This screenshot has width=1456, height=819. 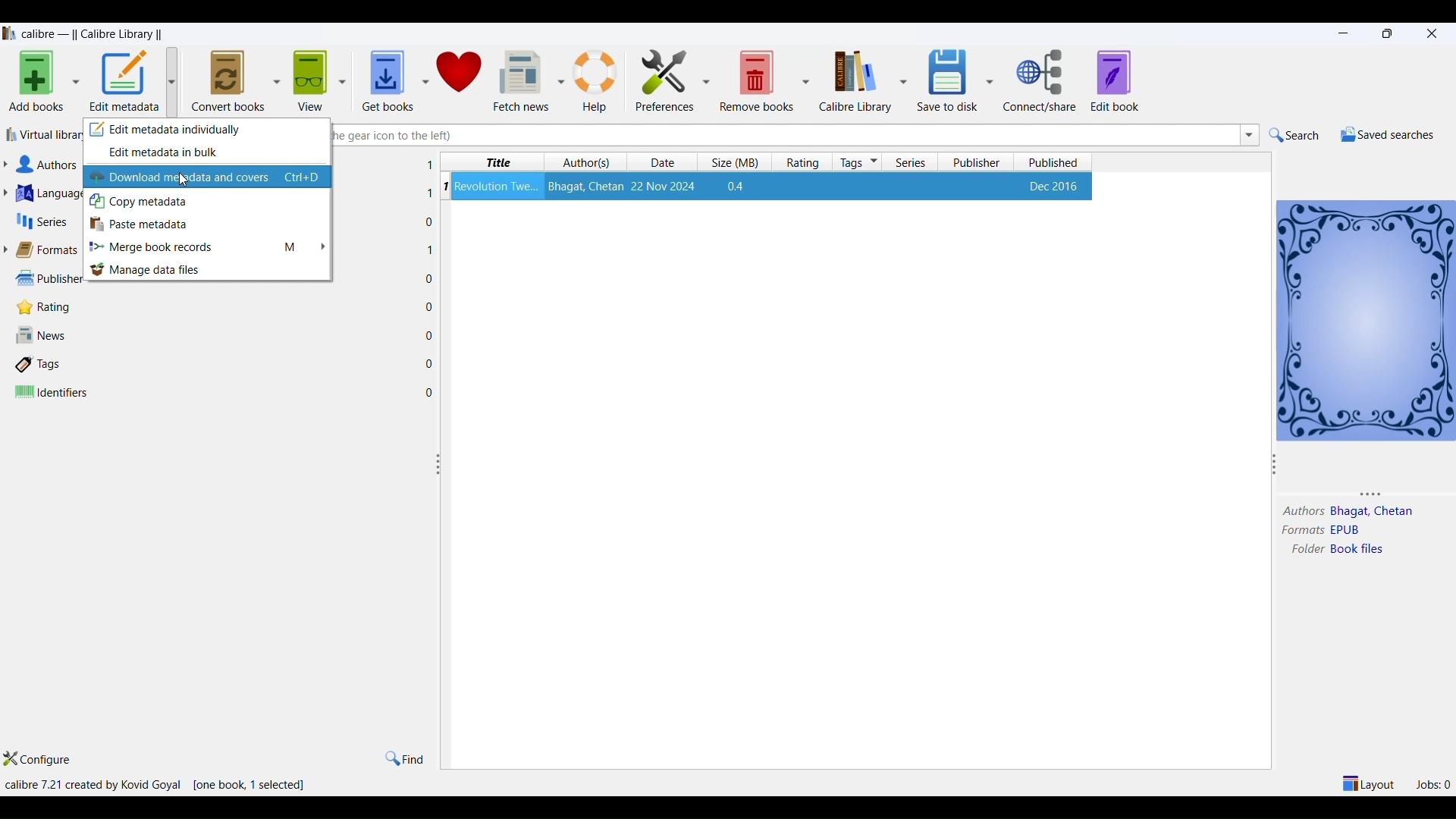 What do you see at coordinates (1299, 530) in the screenshot?
I see `formats` at bounding box center [1299, 530].